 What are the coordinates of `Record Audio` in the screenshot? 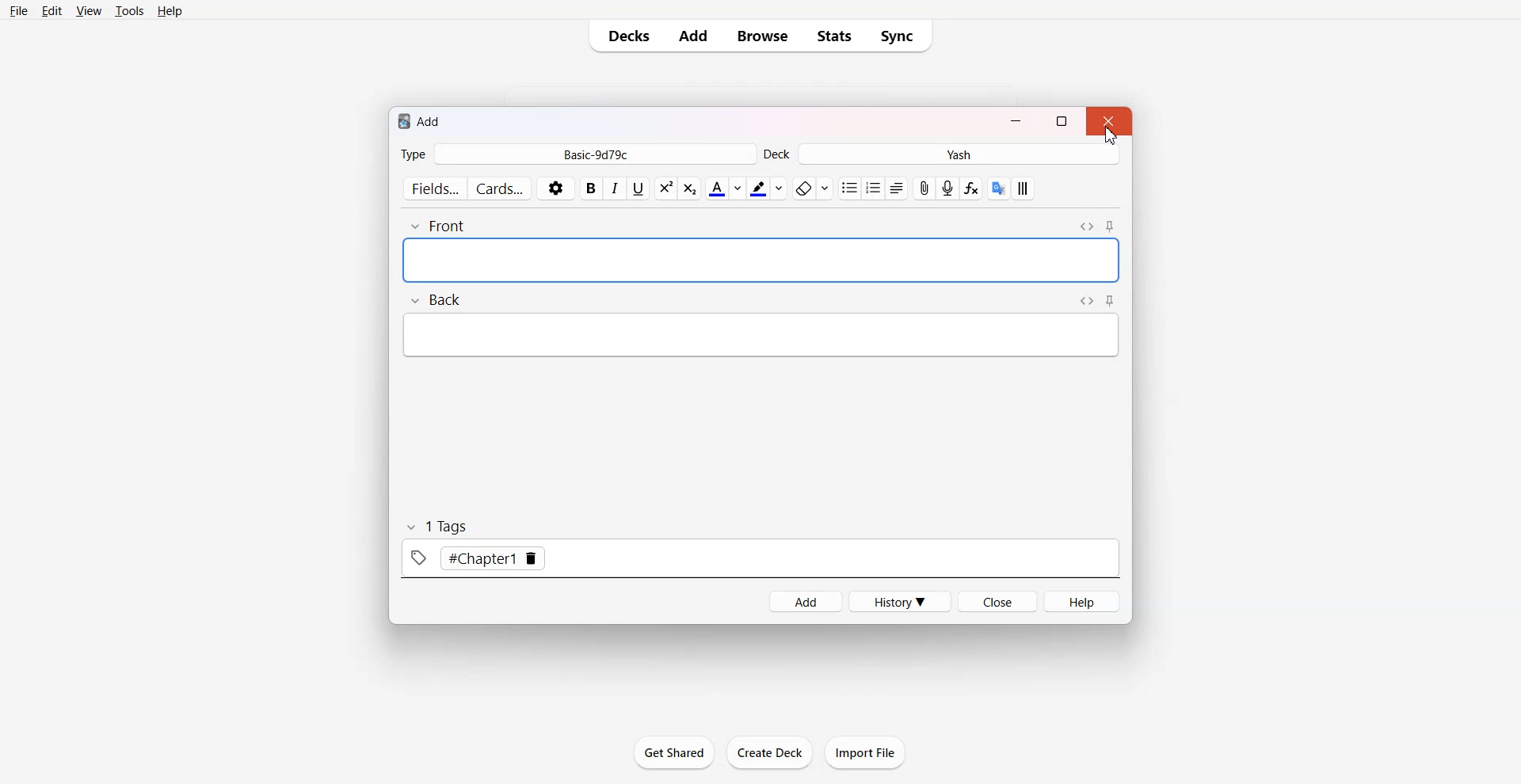 It's located at (947, 188).